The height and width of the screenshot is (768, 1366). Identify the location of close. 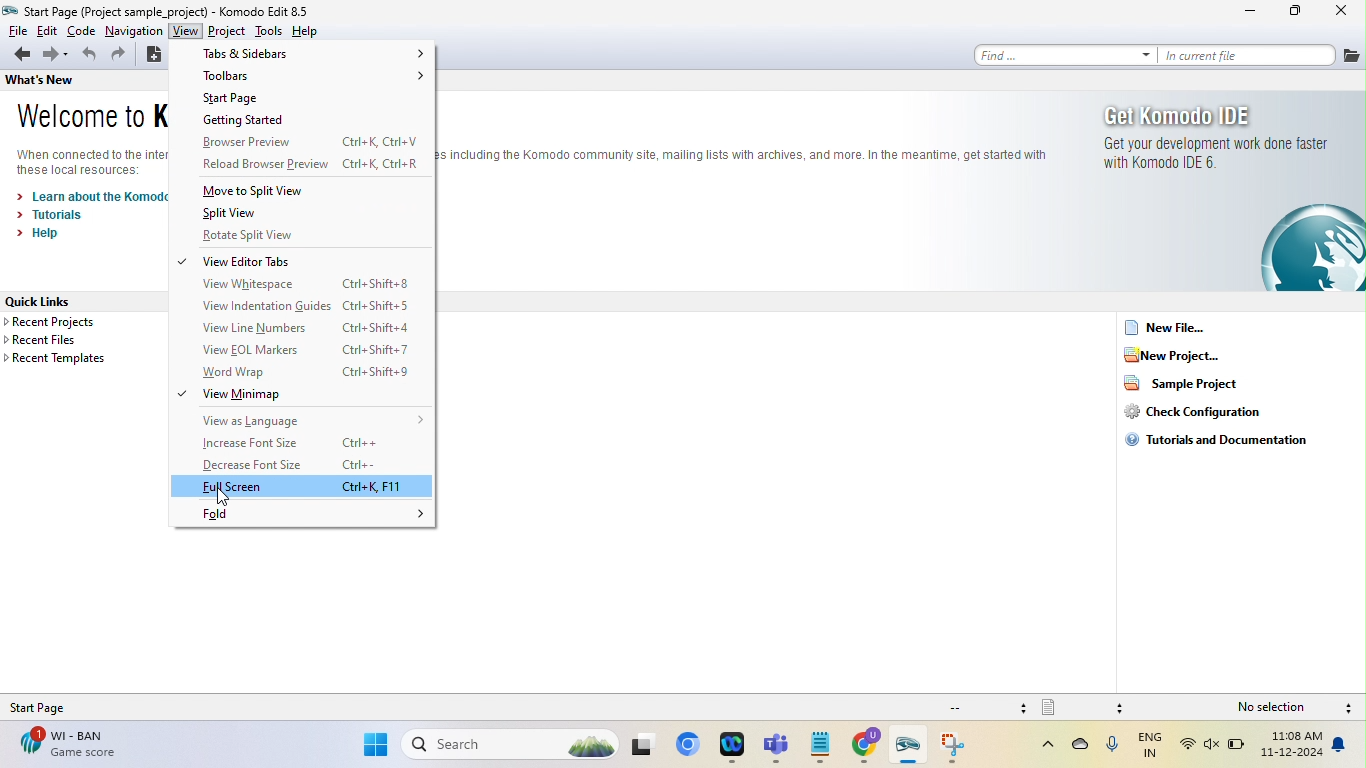
(1343, 12).